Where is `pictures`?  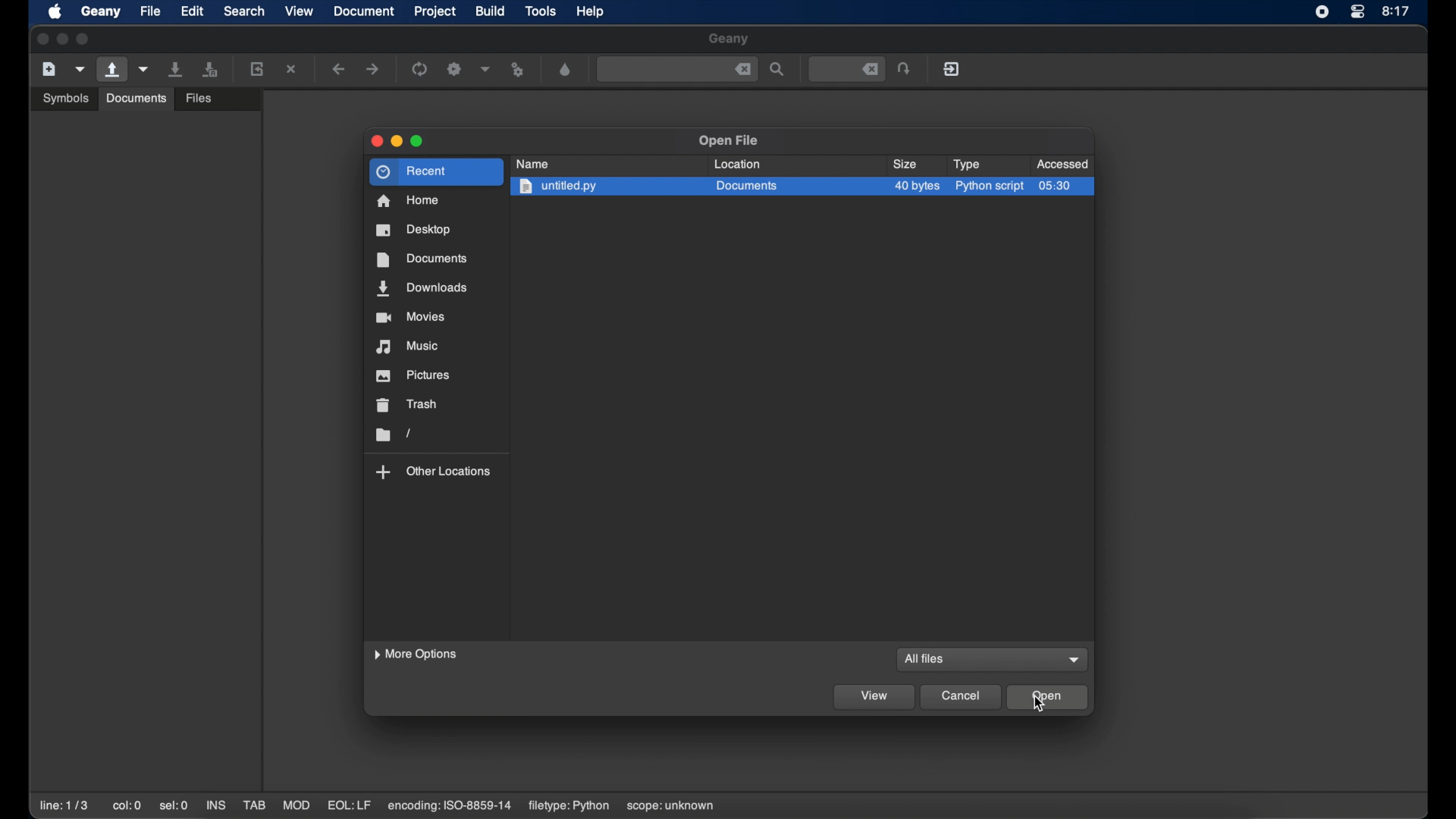 pictures is located at coordinates (413, 375).